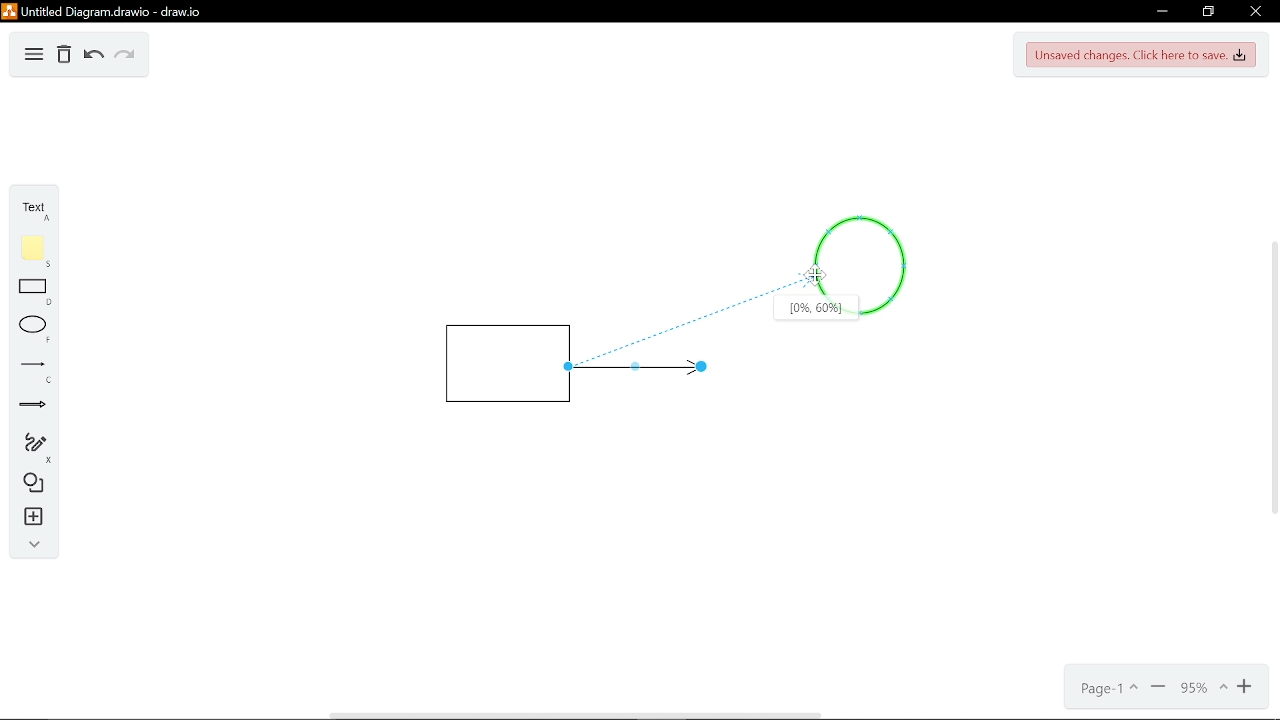 The height and width of the screenshot is (720, 1280). What do you see at coordinates (818, 275) in the screenshot?
I see `Cursor` at bounding box center [818, 275].